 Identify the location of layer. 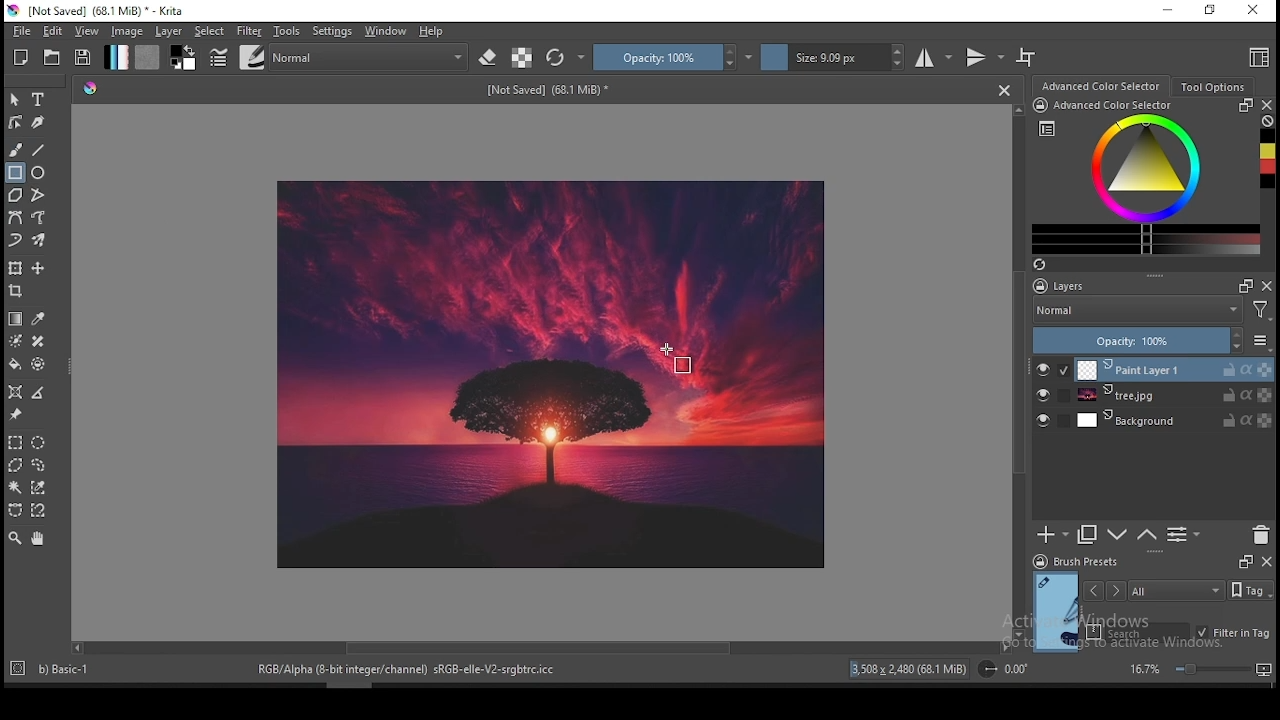
(1173, 396).